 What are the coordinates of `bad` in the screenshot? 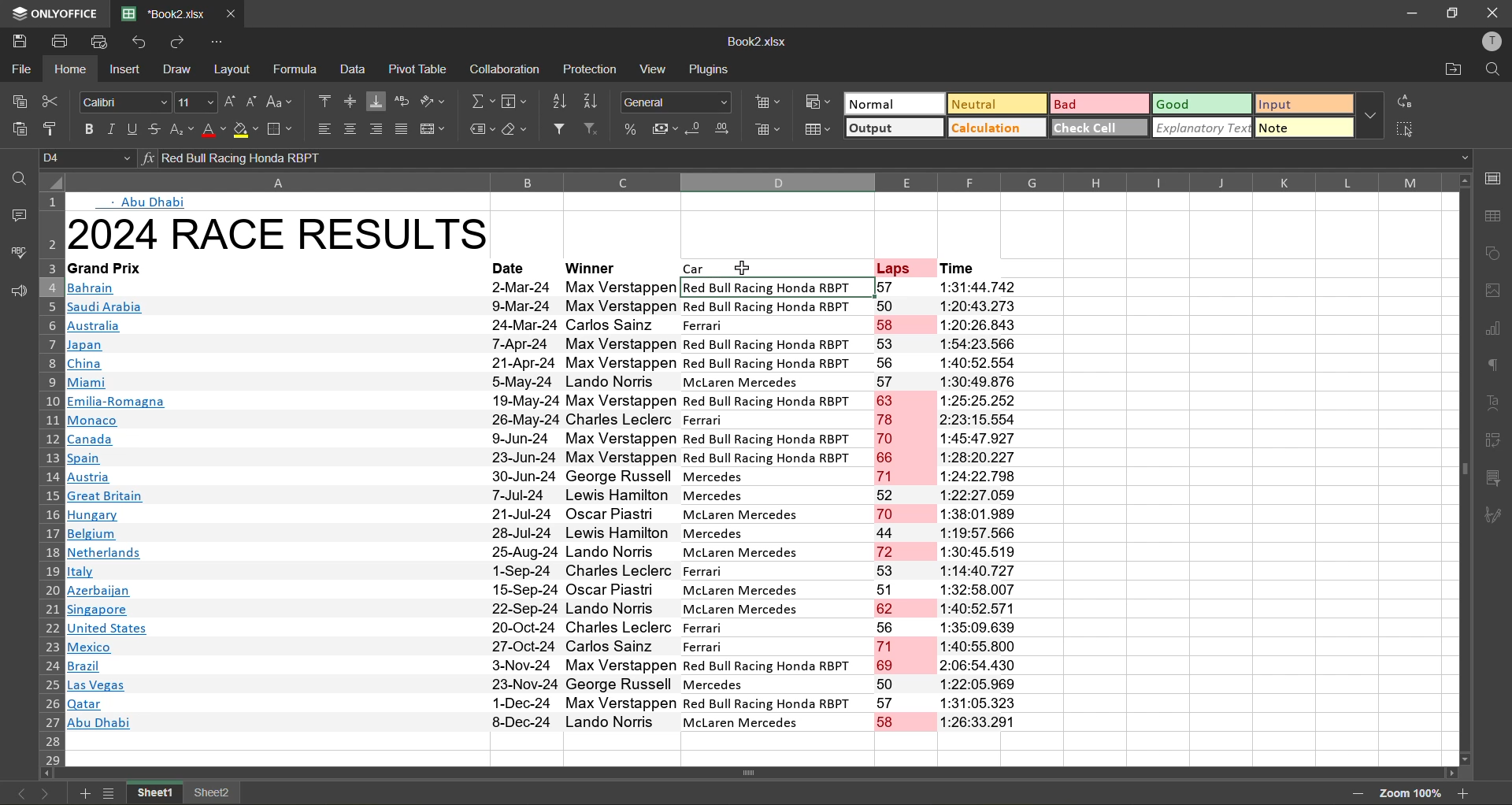 It's located at (1093, 103).